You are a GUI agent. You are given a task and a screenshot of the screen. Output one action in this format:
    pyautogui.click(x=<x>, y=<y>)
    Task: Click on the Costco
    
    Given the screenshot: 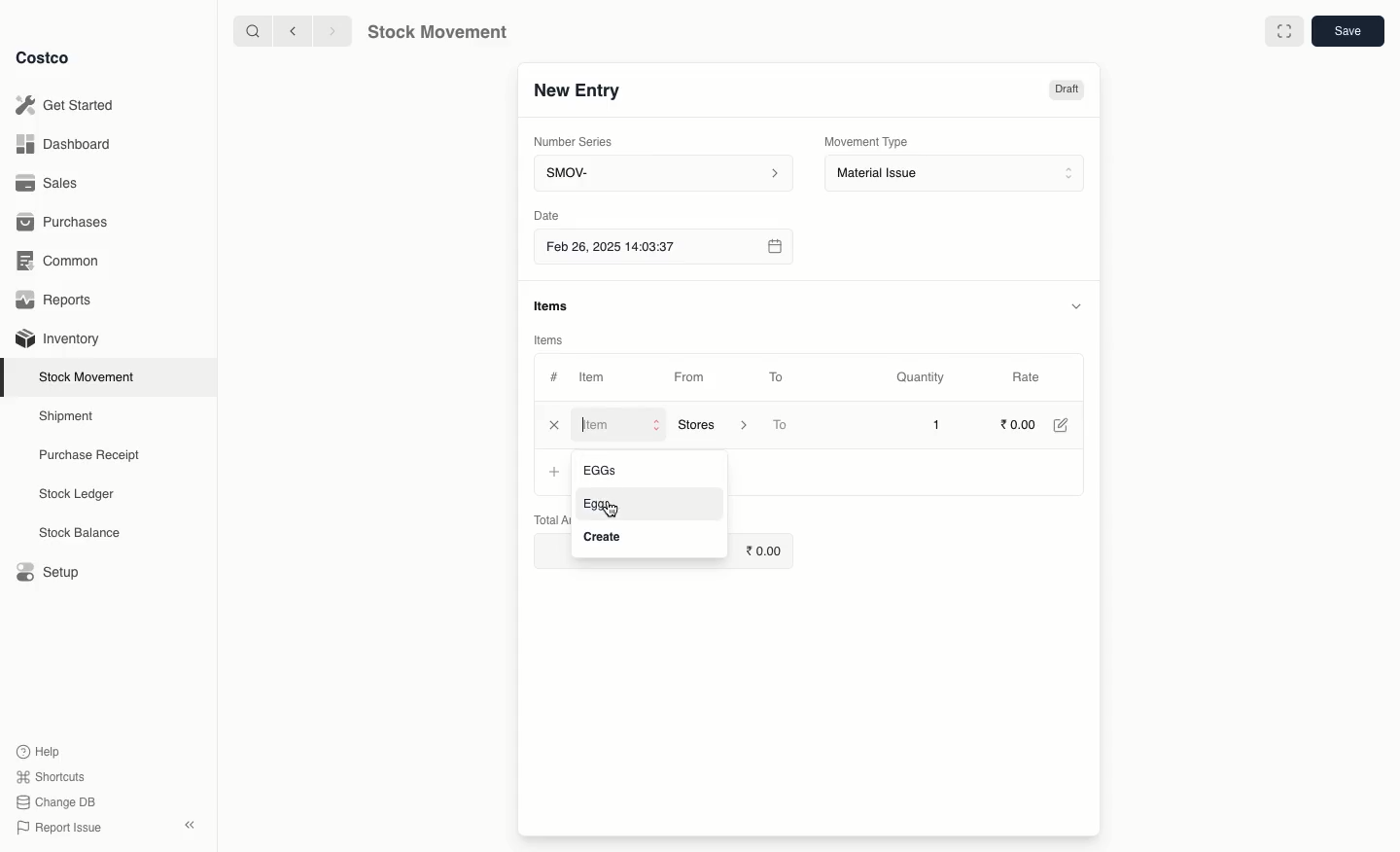 What is the action you would take?
    pyautogui.click(x=44, y=58)
    